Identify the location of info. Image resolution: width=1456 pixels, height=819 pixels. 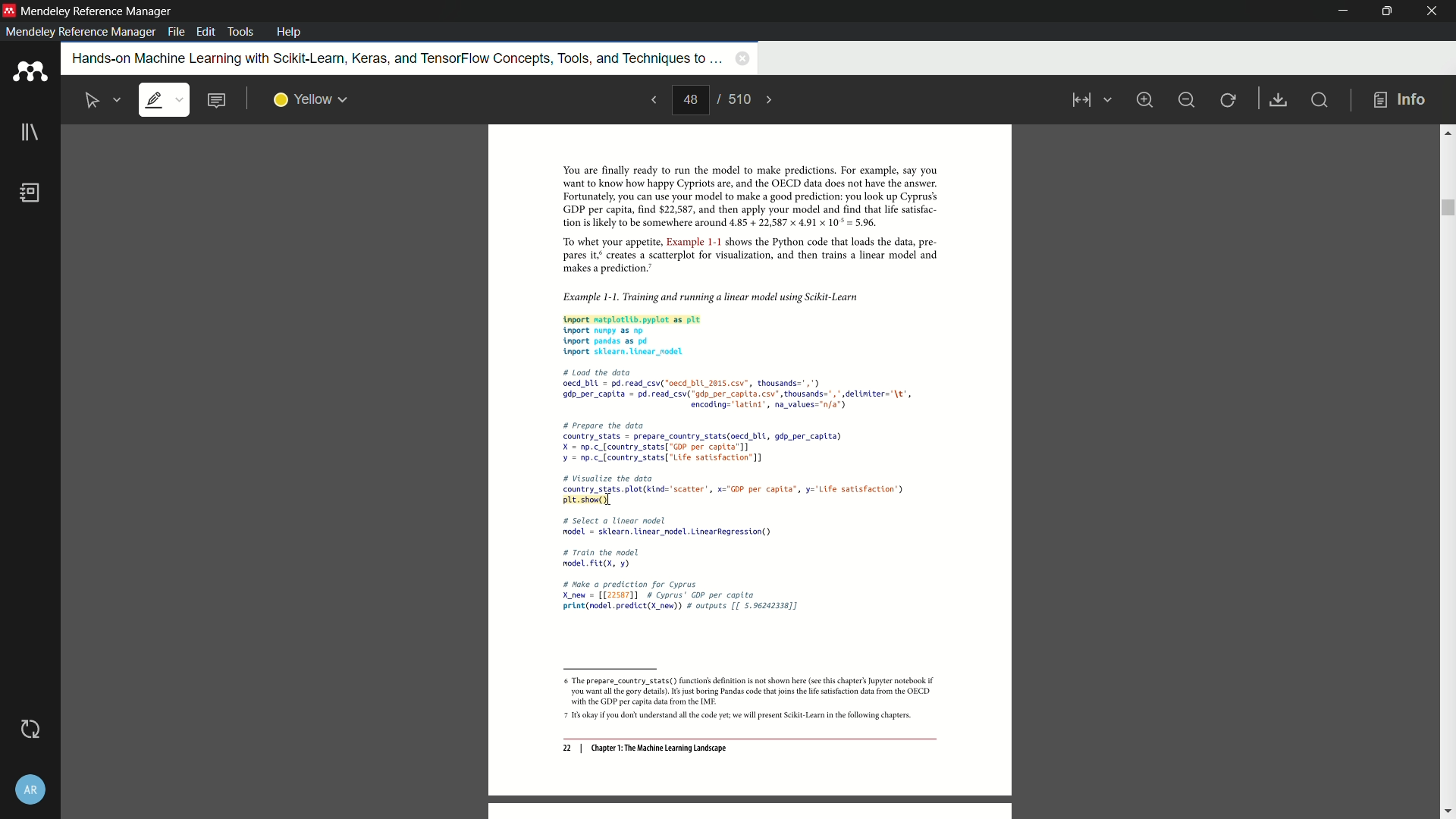
(1400, 101).